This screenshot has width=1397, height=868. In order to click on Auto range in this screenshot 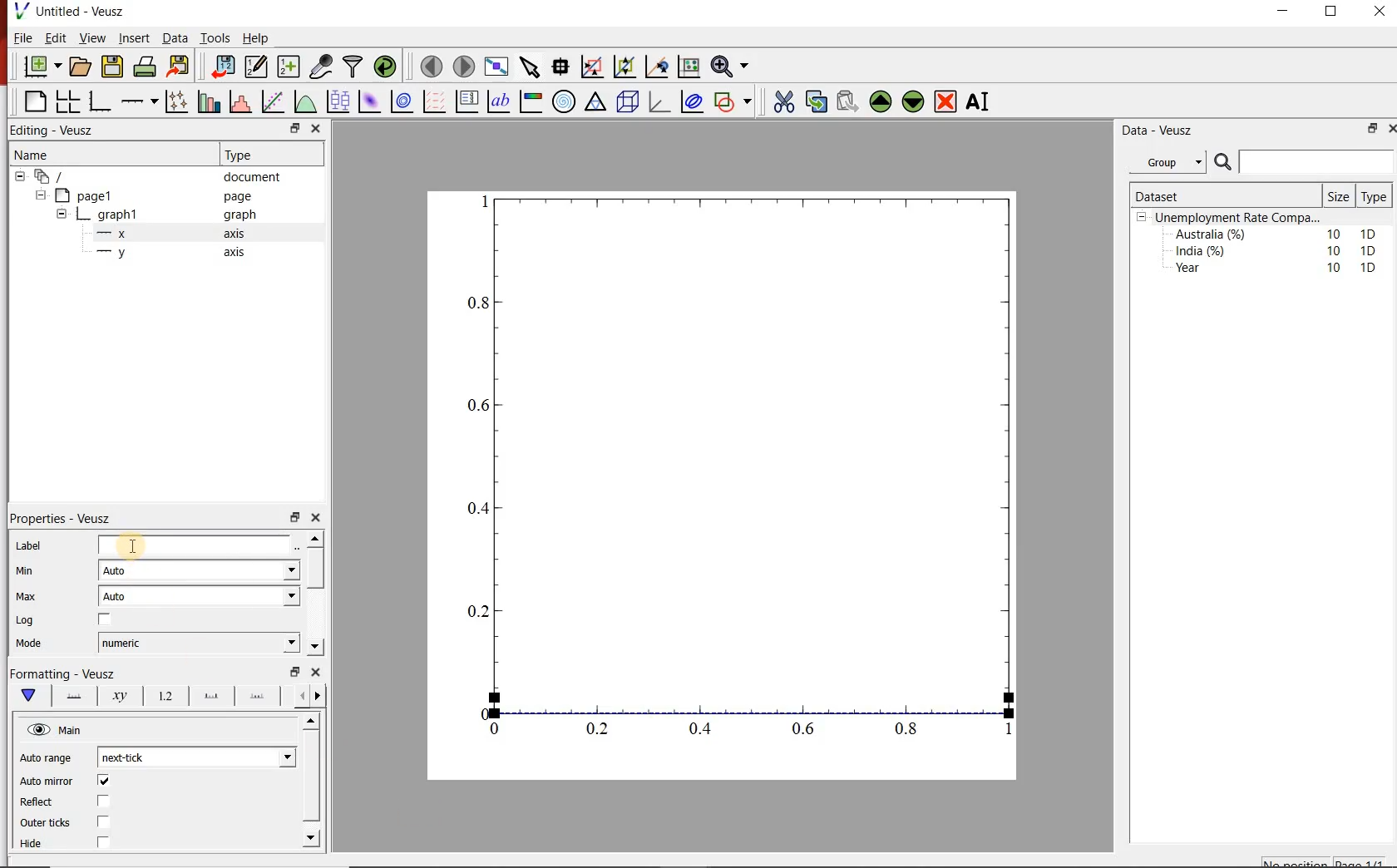, I will do `click(48, 760)`.